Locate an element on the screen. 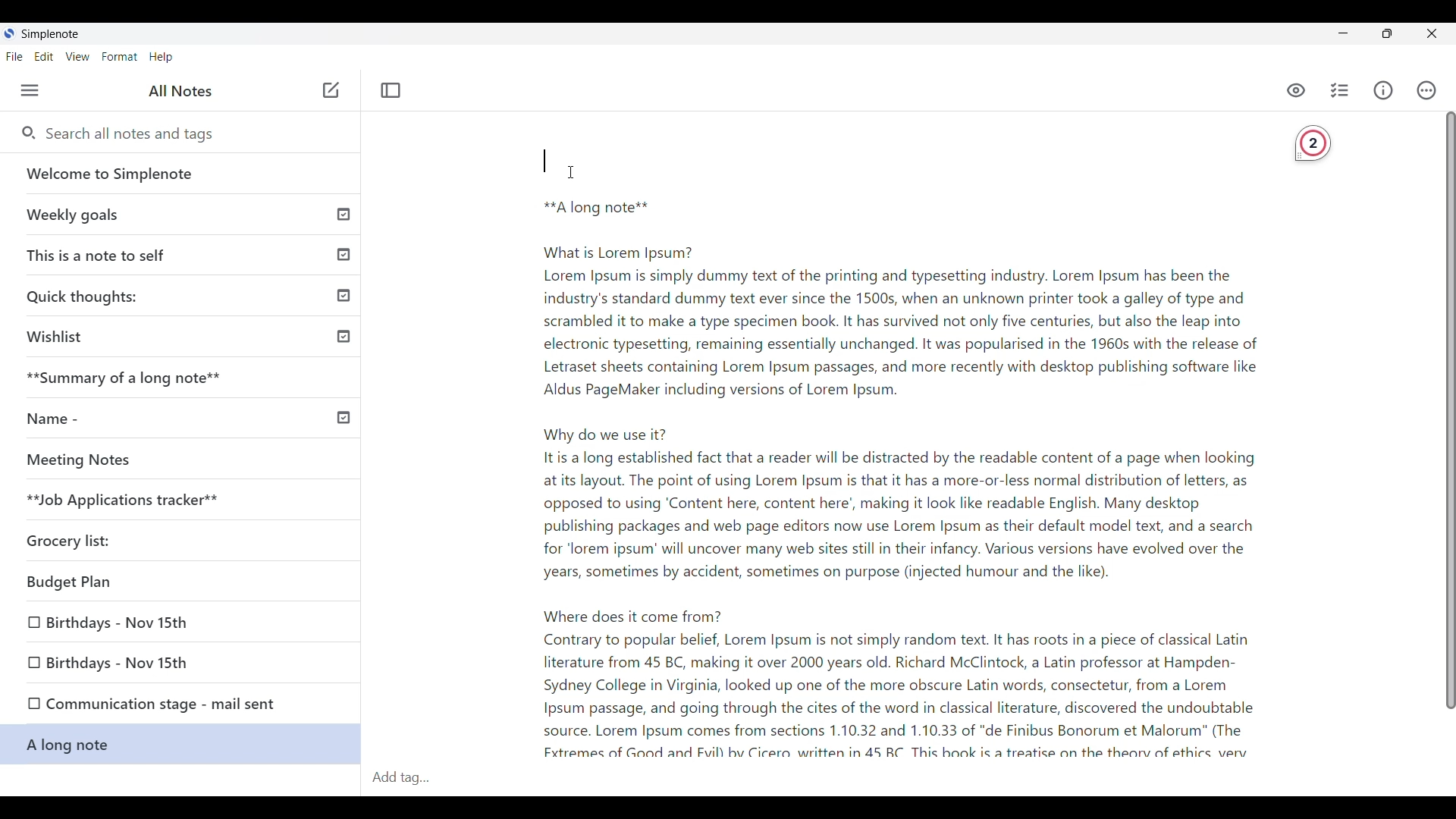  Job Applications tracker is located at coordinates (115, 500).